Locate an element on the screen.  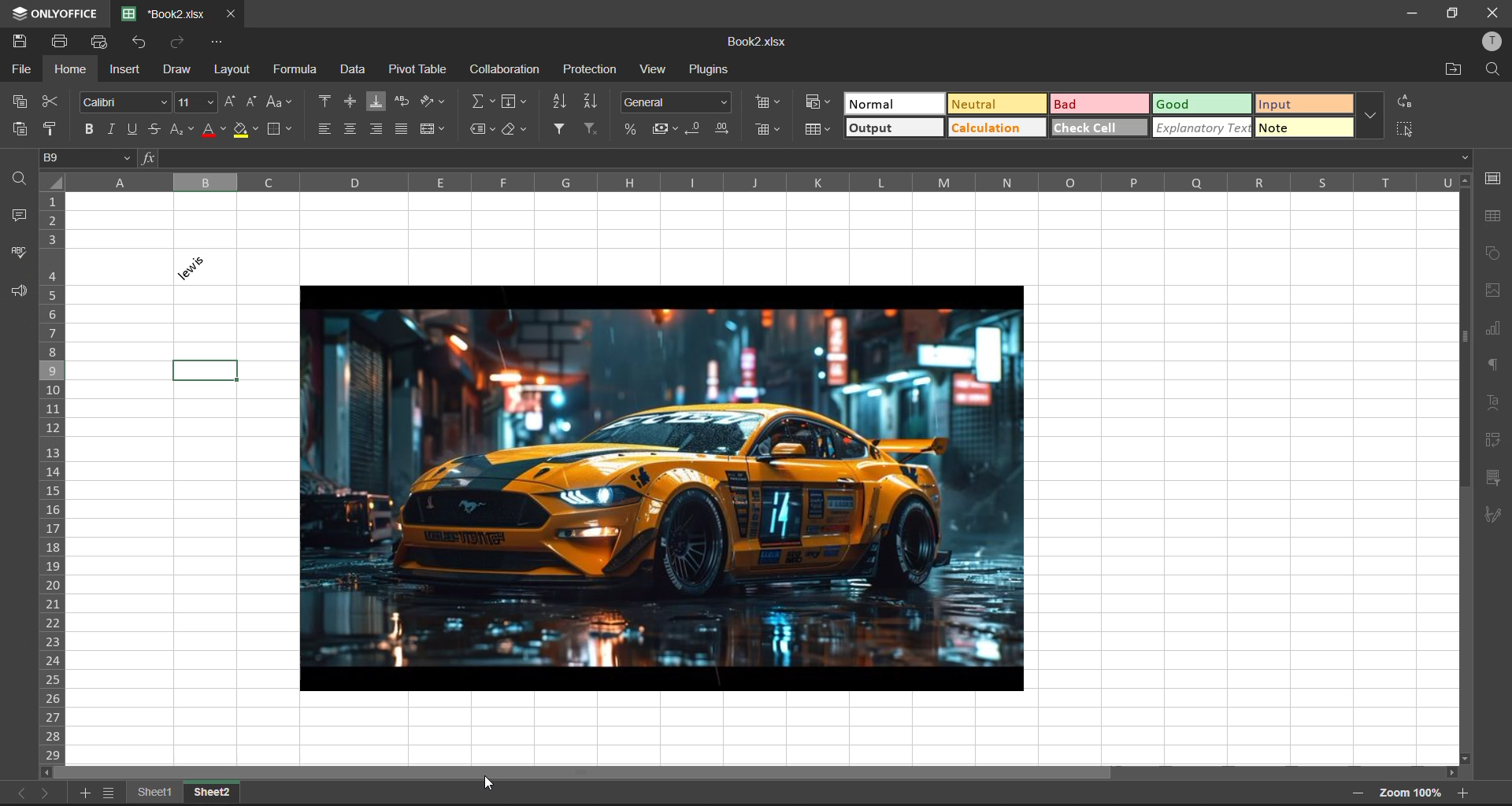
decrease decimal is located at coordinates (697, 129).